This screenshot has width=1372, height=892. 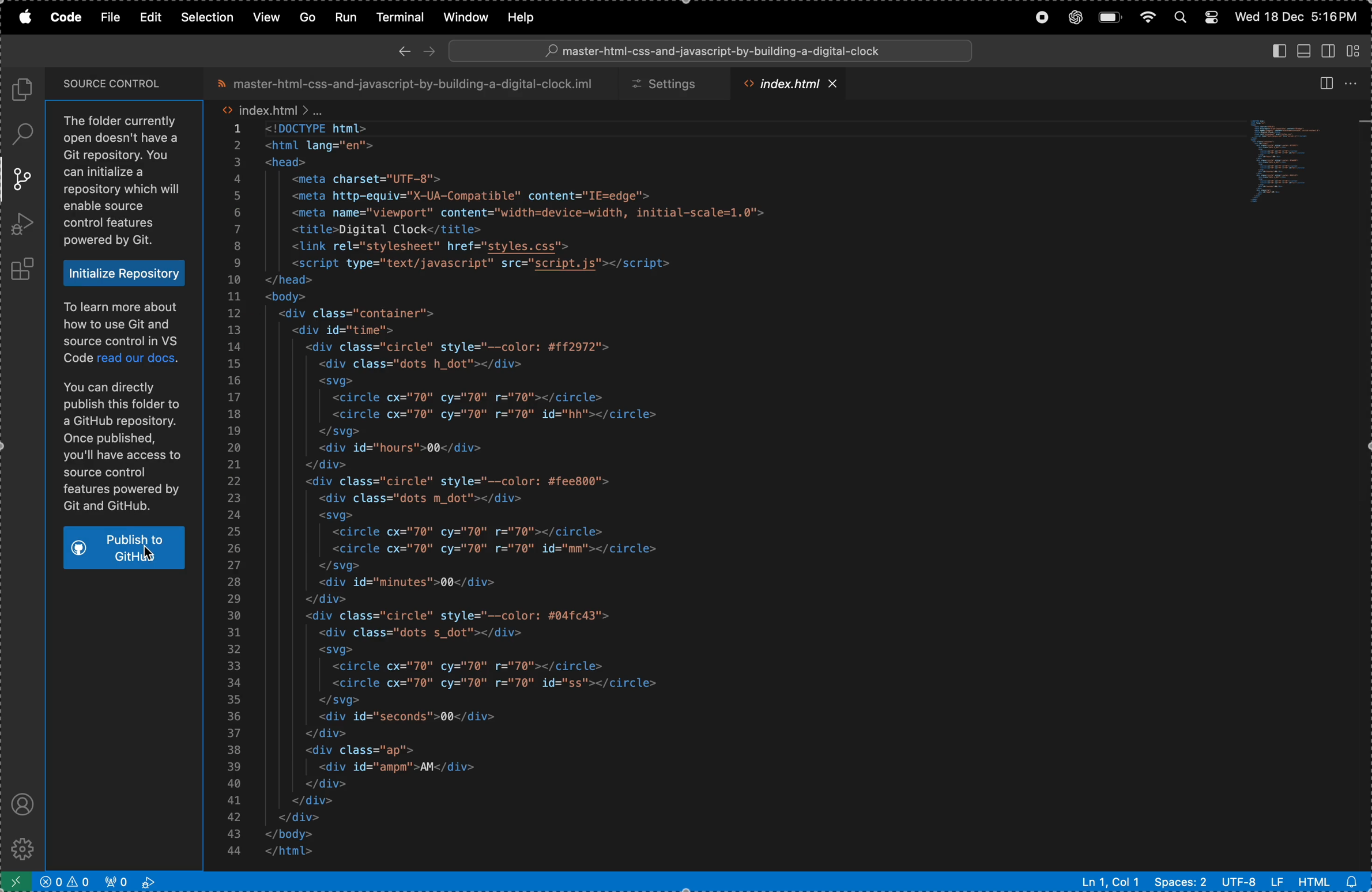 I want to click on no problems, so click(x=67, y=882).